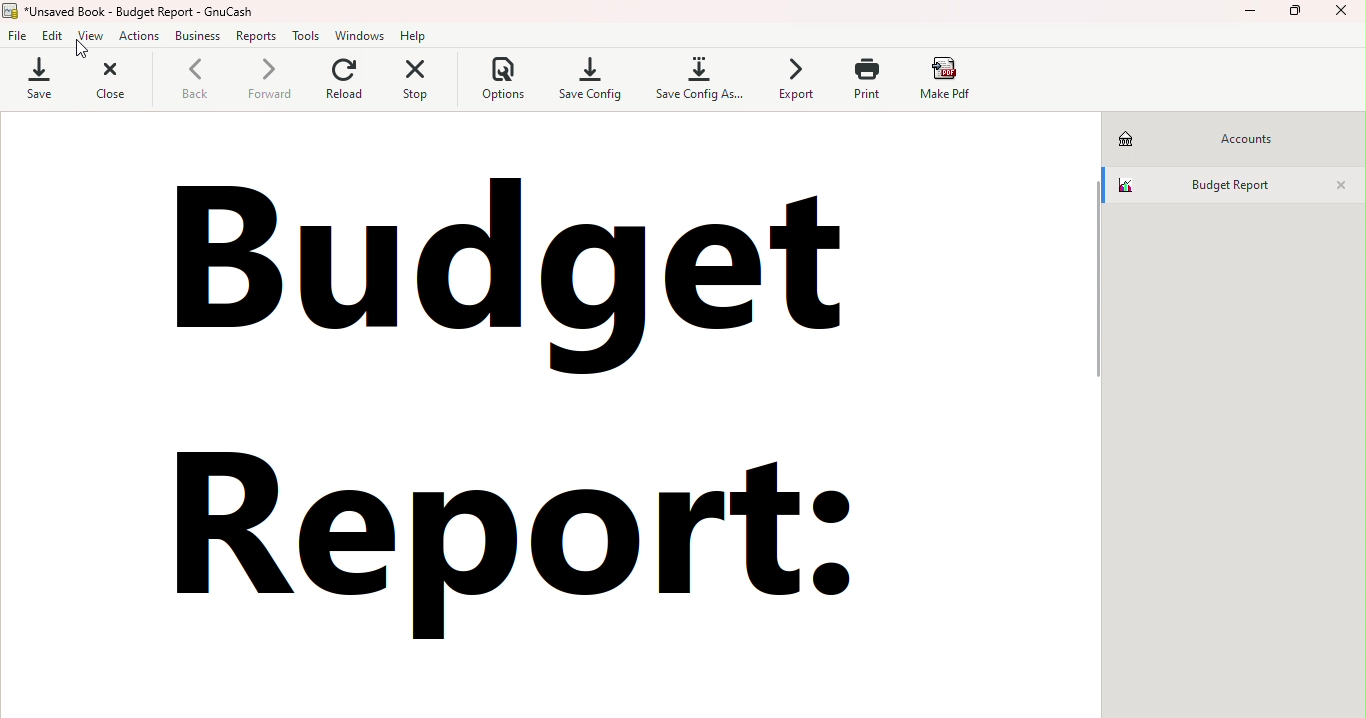 The width and height of the screenshot is (1366, 718). I want to click on Help, so click(417, 34).